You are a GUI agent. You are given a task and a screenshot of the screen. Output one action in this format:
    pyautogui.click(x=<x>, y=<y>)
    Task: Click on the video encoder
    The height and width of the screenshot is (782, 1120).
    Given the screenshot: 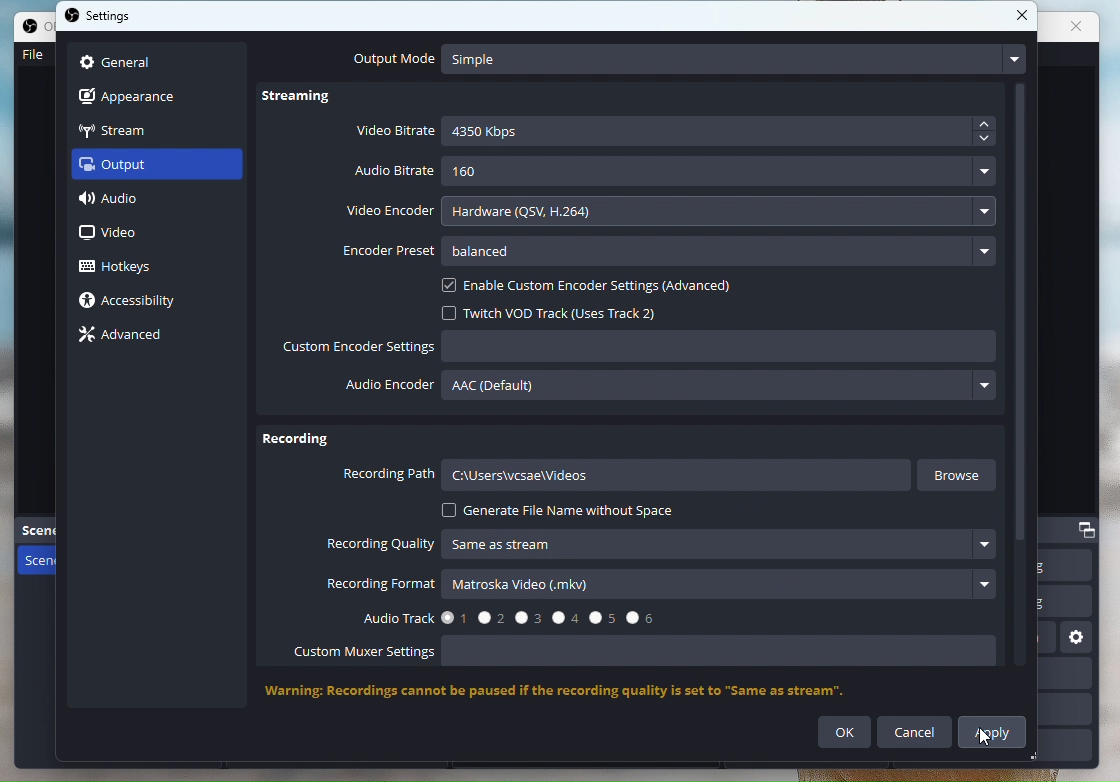 What is the action you would take?
    pyautogui.click(x=670, y=208)
    